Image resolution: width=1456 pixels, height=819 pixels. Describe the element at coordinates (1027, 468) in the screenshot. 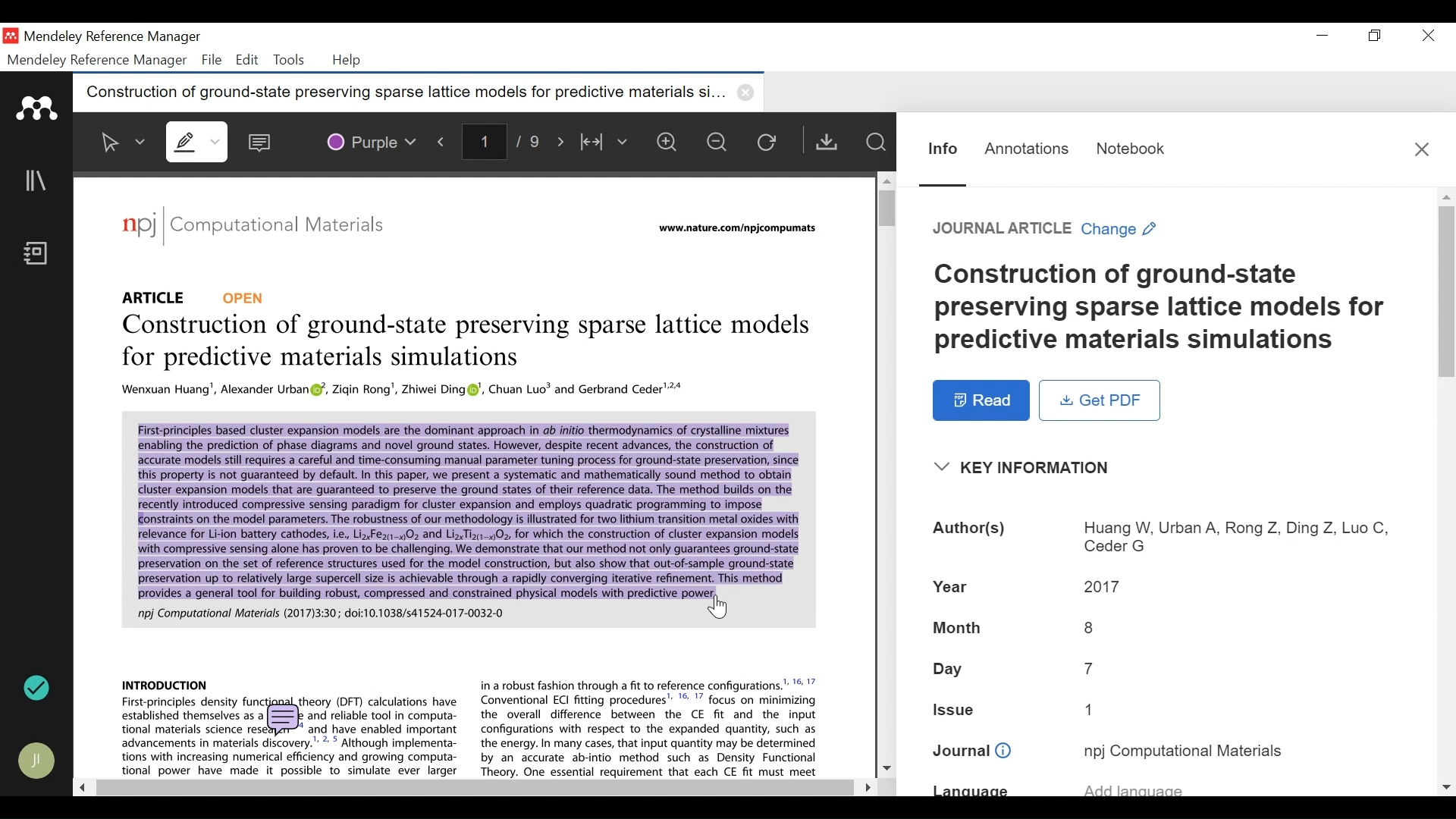

I see `Key Information` at that location.